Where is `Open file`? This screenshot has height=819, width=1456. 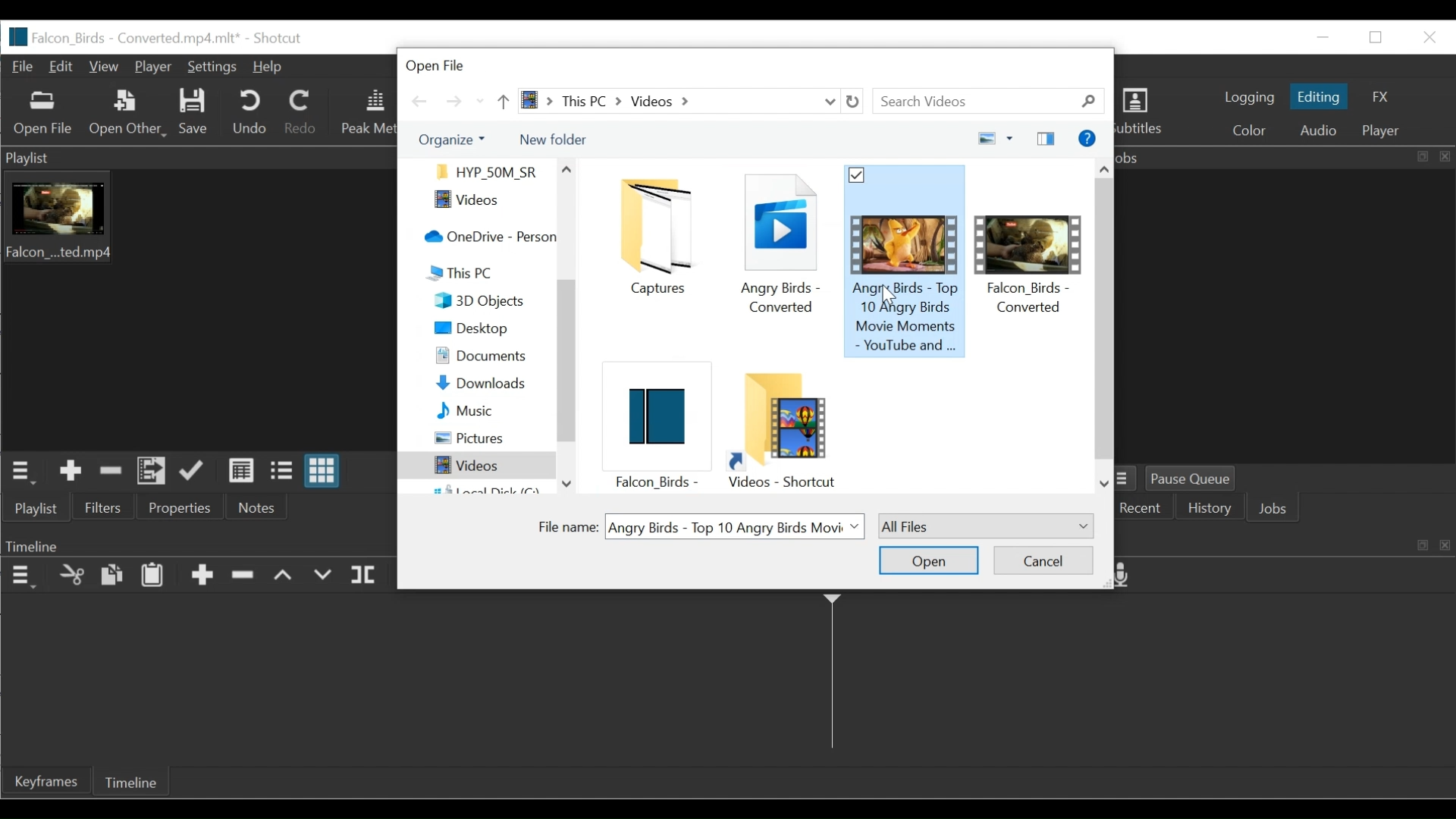 Open file is located at coordinates (447, 63).